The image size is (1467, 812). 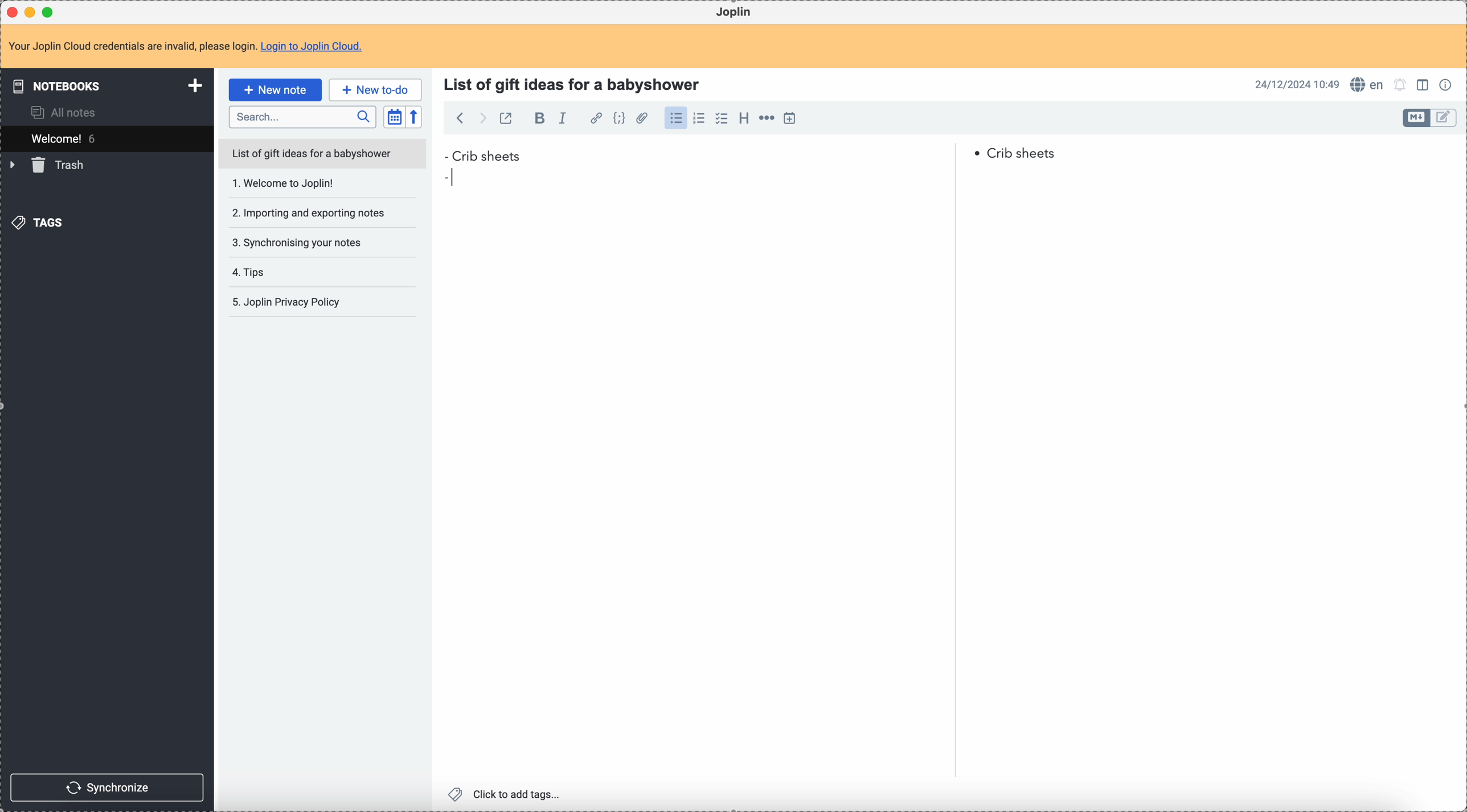 I want to click on bold, so click(x=539, y=120).